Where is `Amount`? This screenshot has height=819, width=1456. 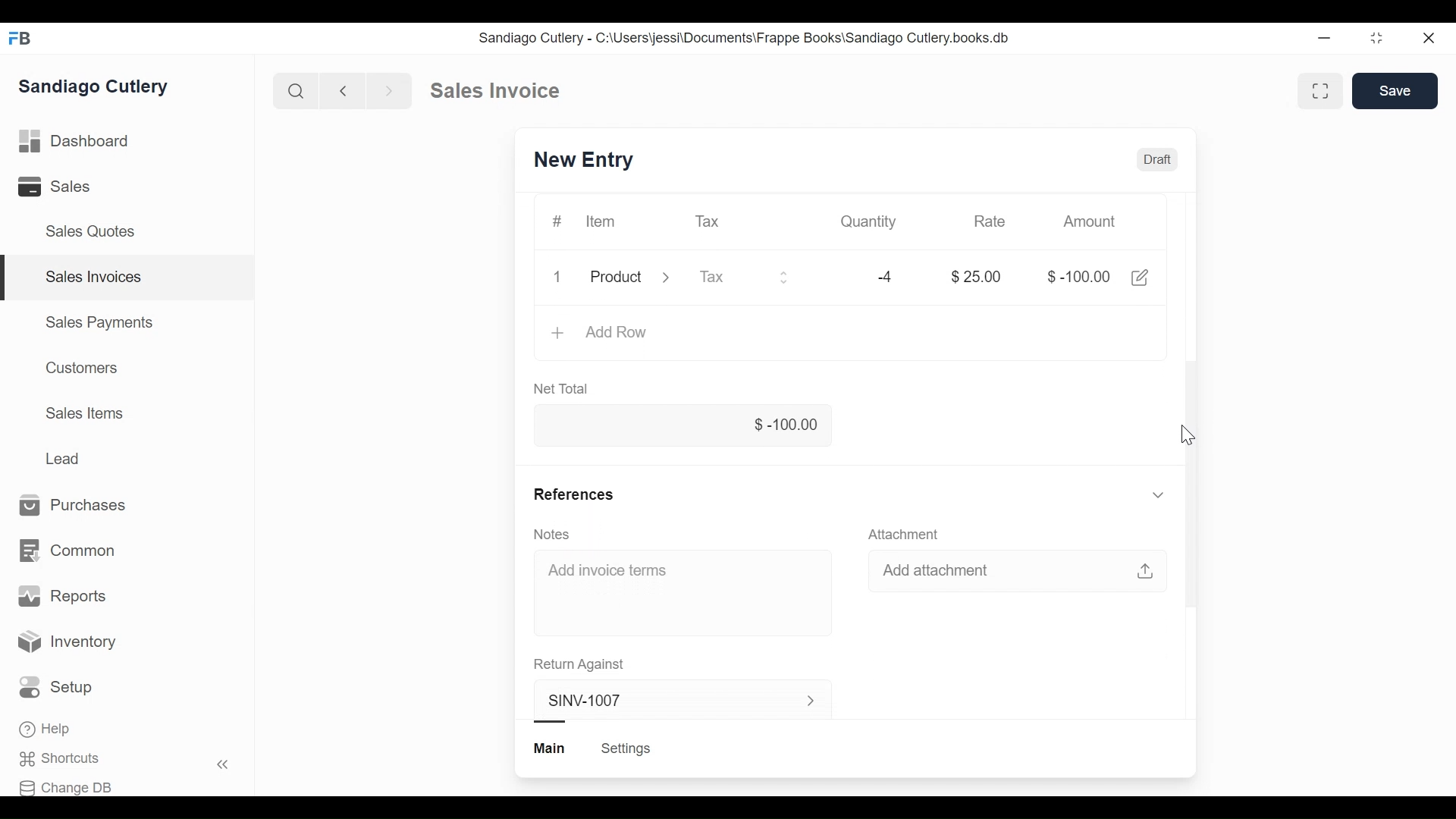 Amount is located at coordinates (1089, 221).